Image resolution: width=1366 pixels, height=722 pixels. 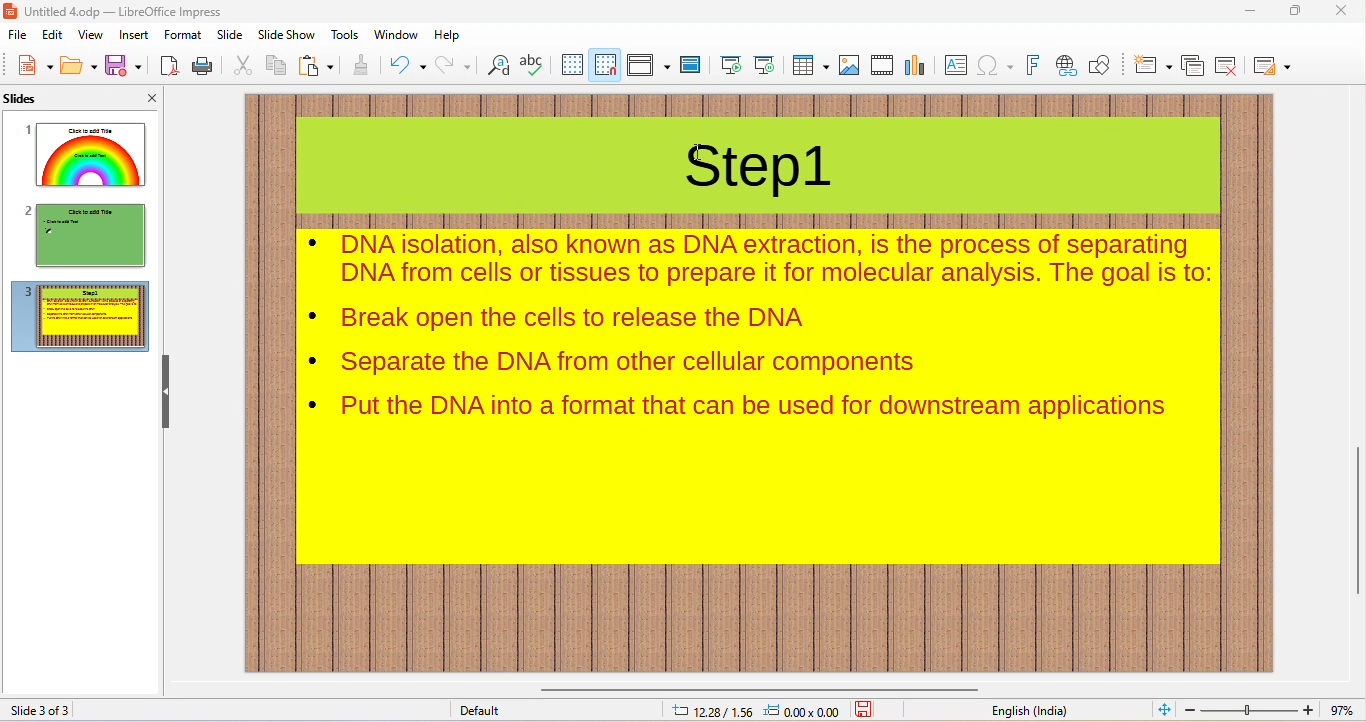 I want to click on new slide, so click(x=1153, y=65).